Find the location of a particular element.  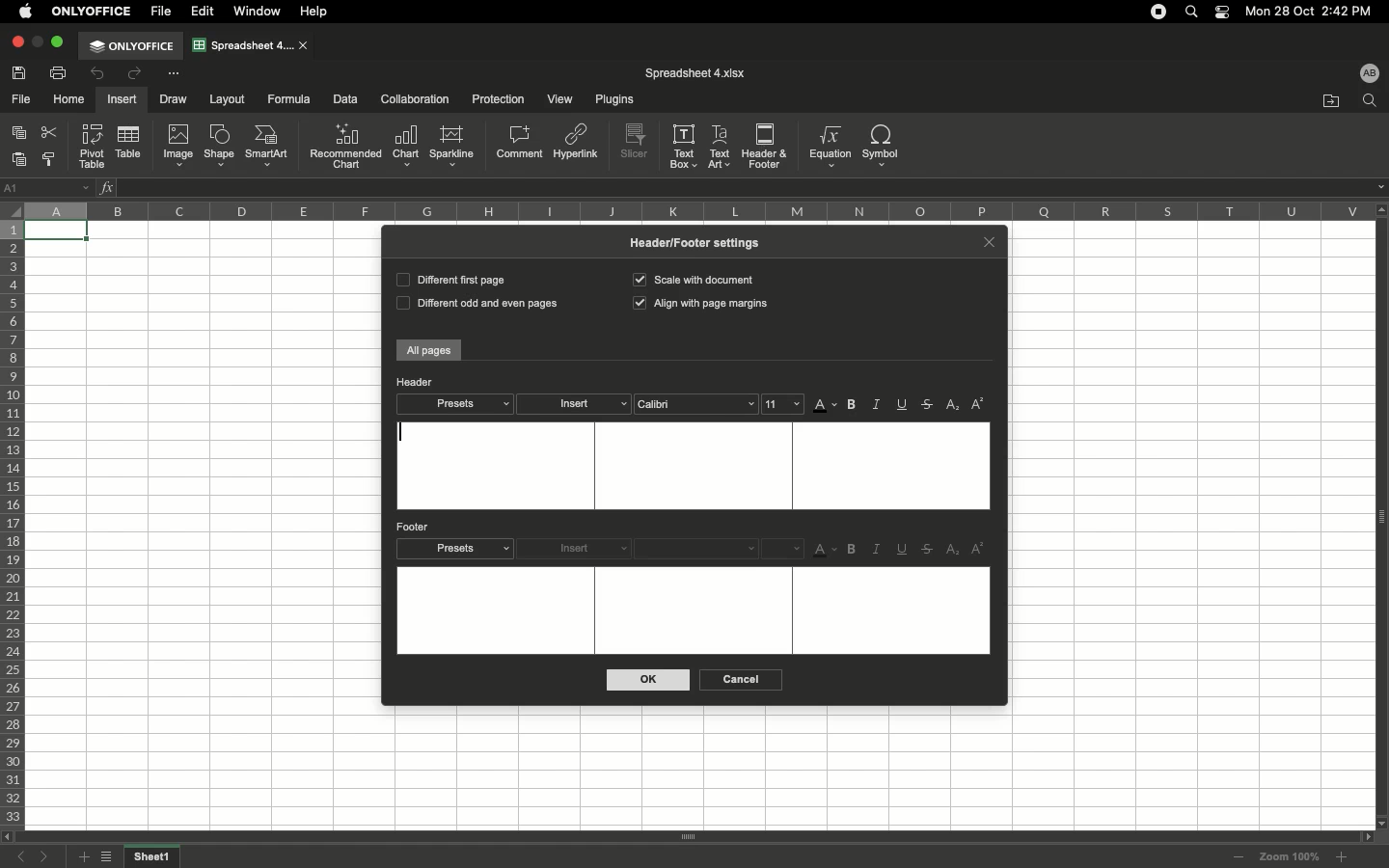

Insert is located at coordinates (578, 549).